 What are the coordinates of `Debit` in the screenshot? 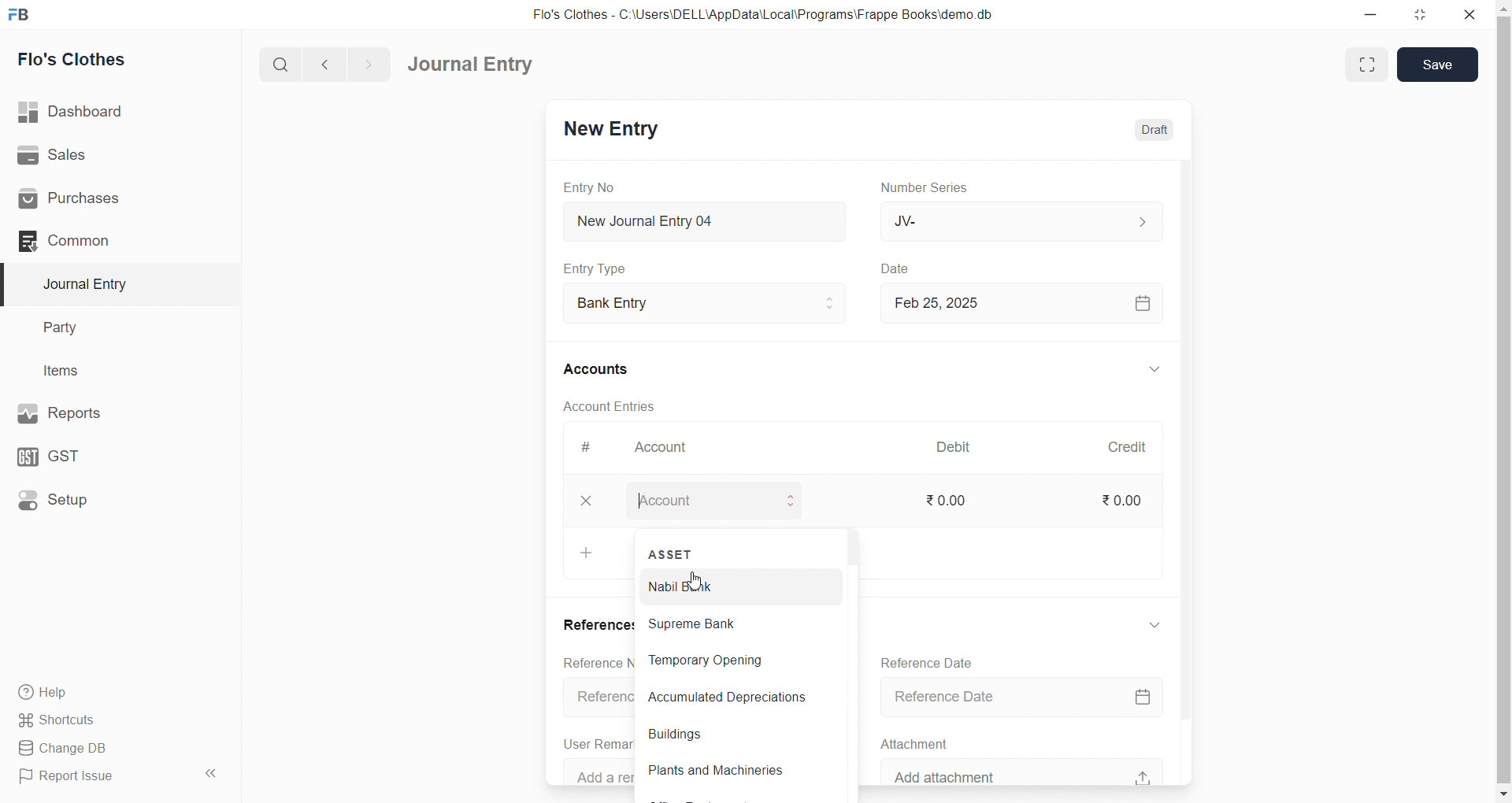 It's located at (962, 449).